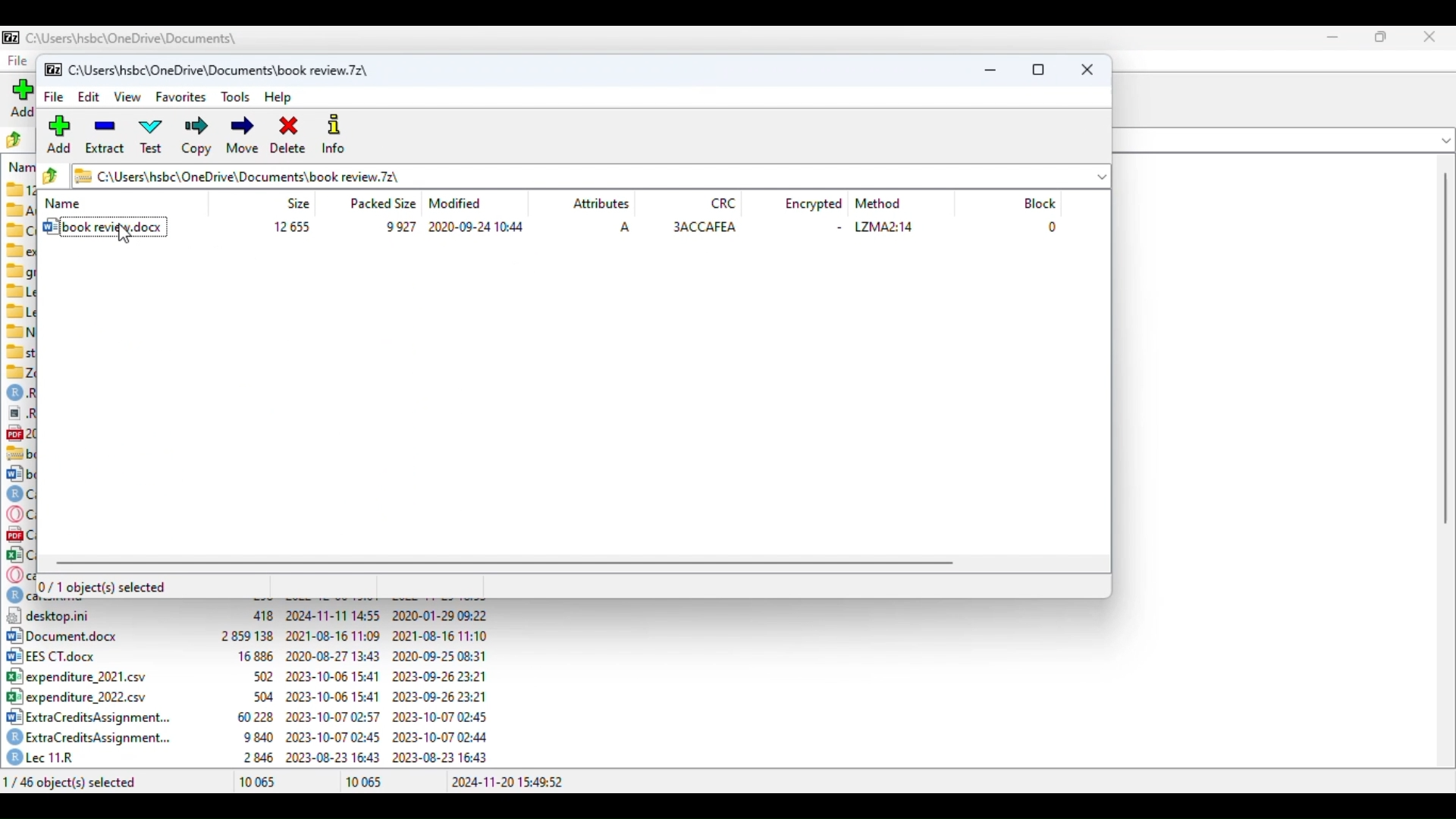 Image resolution: width=1456 pixels, height=819 pixels. I want to click on add, so click(58, 135).